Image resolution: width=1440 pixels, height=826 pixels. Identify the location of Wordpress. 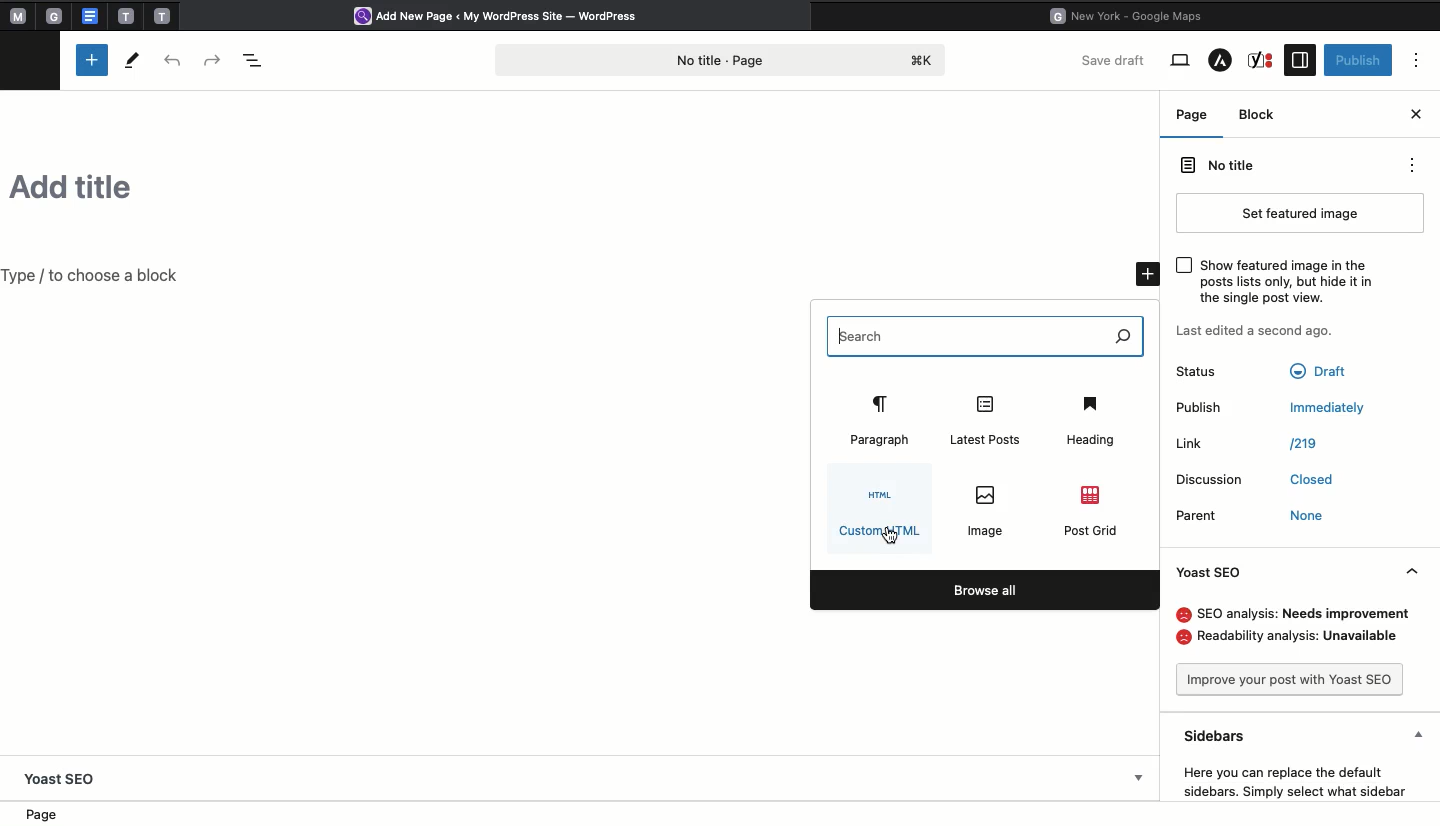
(504, 17).